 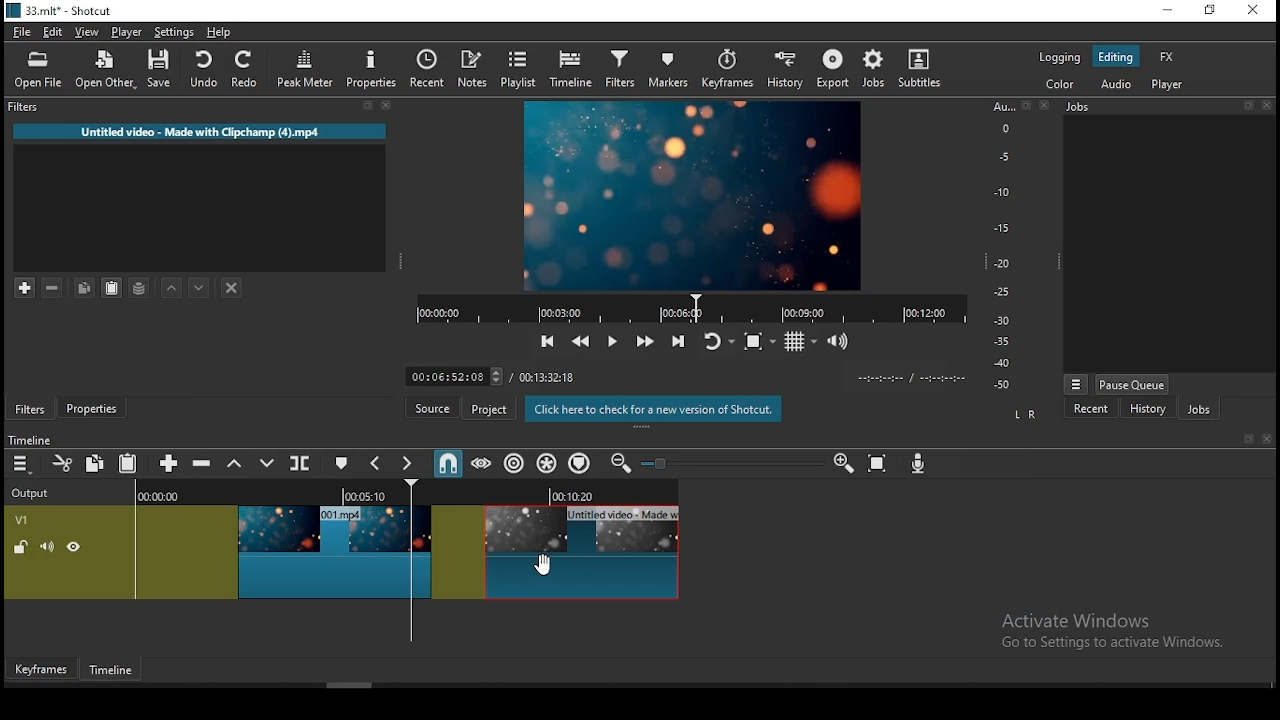 I want to click on fx, so click(x=1166, y=56).